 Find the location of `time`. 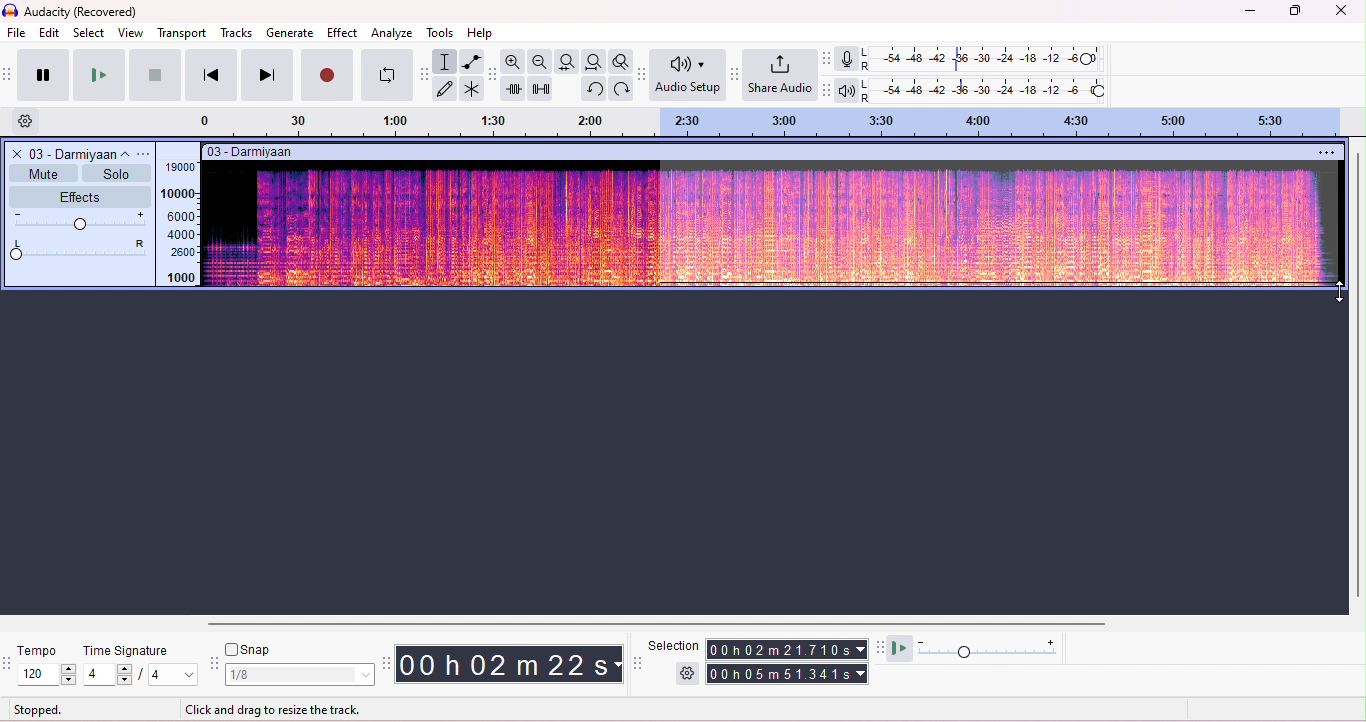

time is located at coordinates (508, 663).